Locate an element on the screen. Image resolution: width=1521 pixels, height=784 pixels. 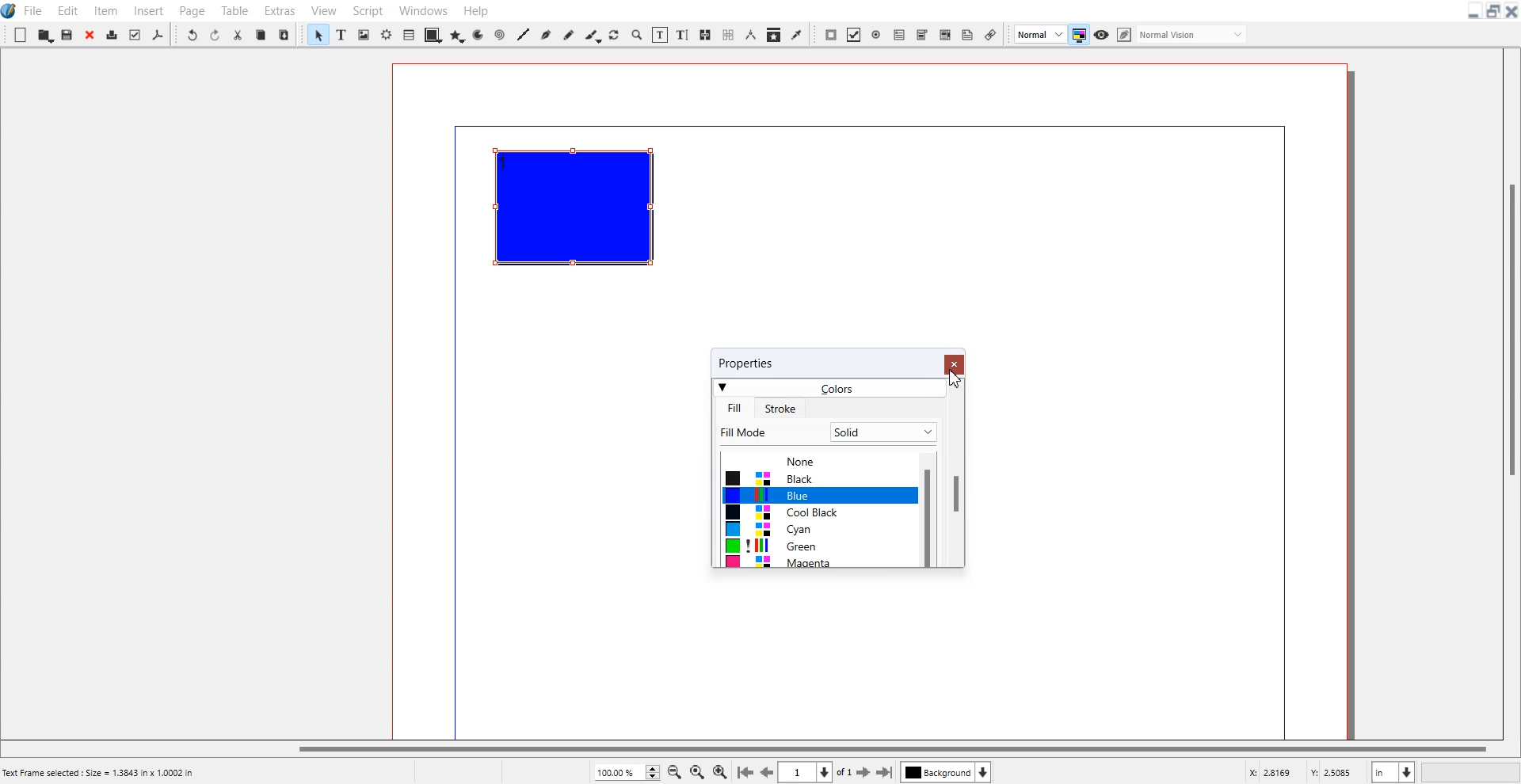
Vertical Scroll Bar is located at coordinates (956, 474).